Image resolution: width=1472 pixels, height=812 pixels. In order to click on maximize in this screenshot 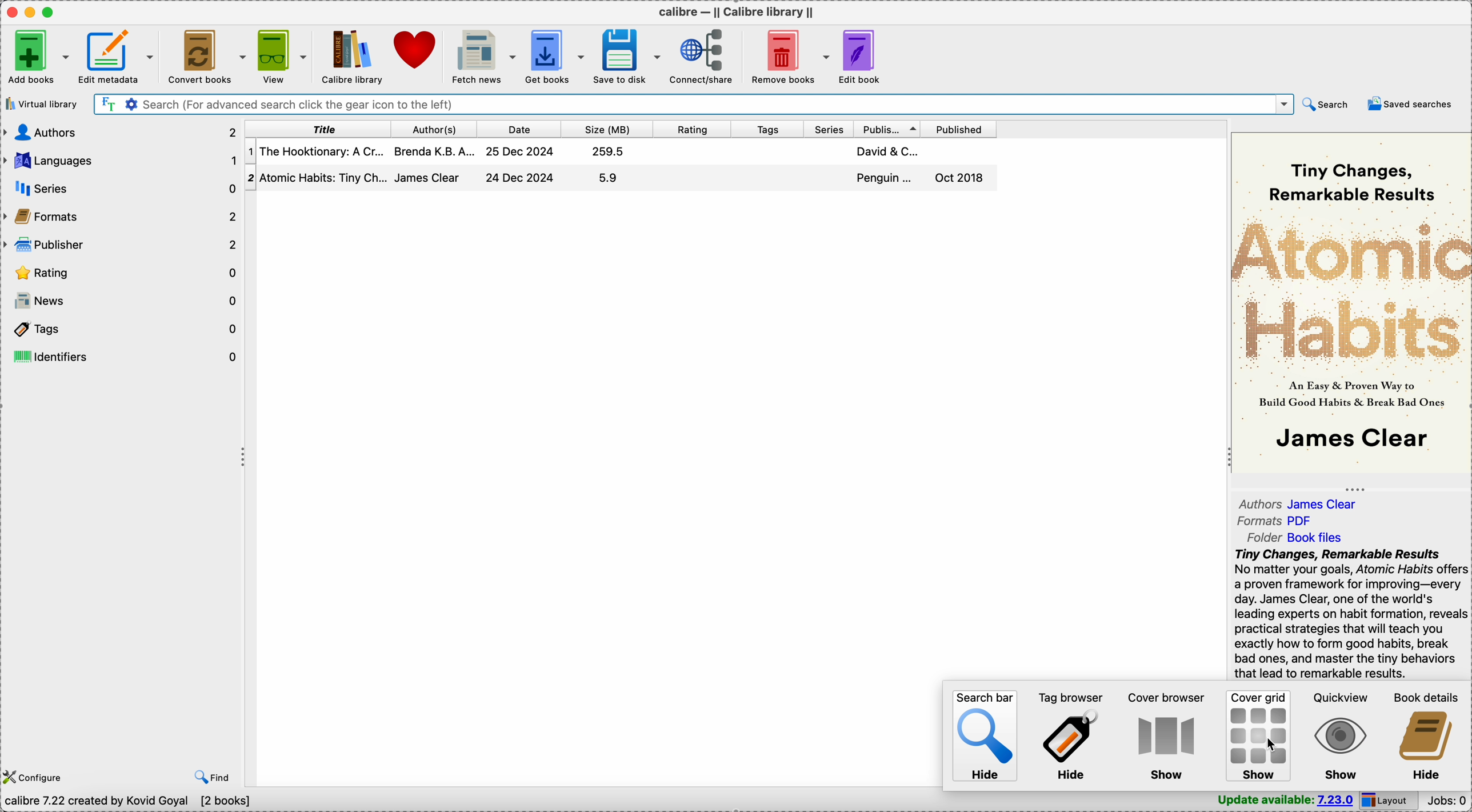, I will do `click(51, 13)`.